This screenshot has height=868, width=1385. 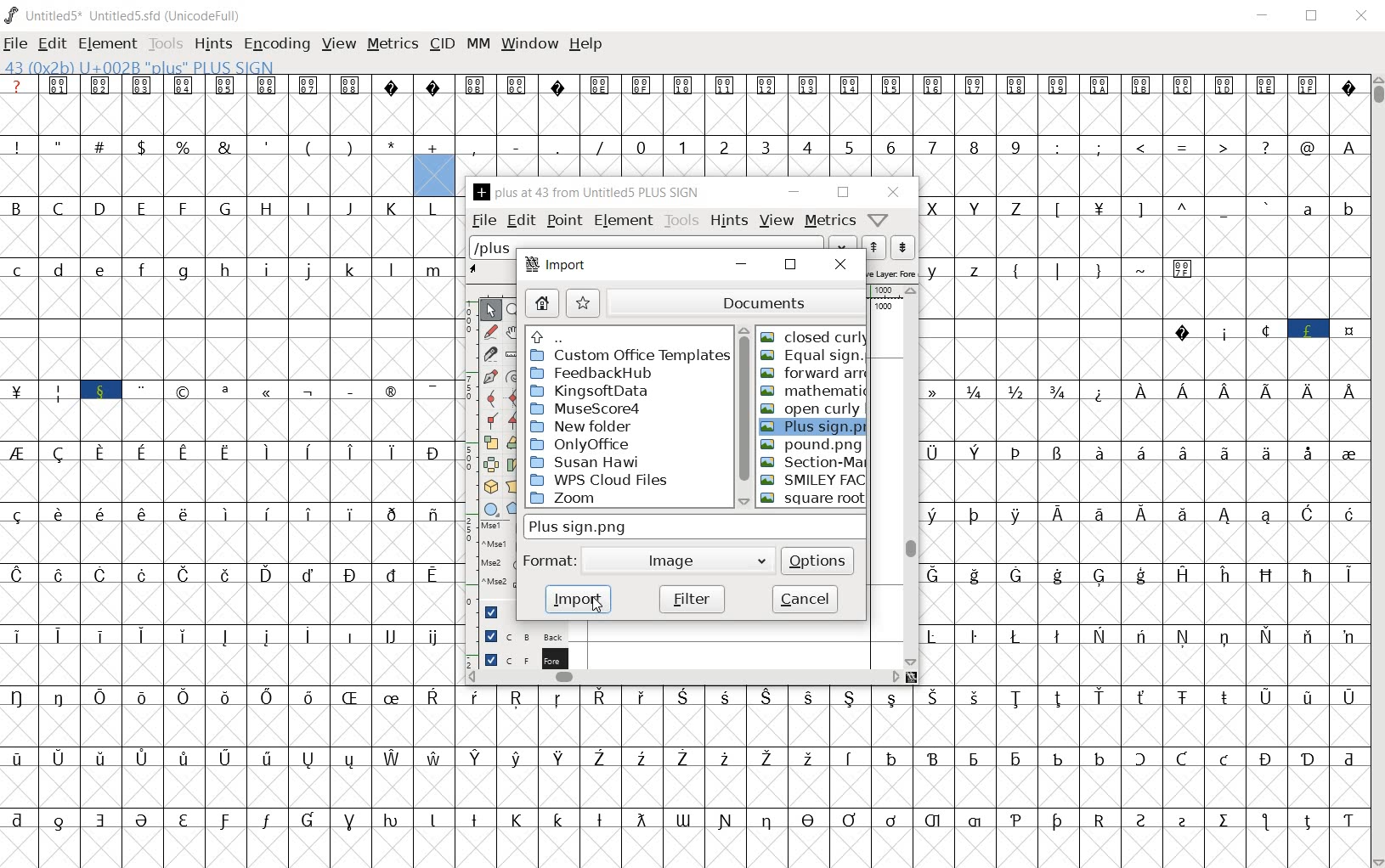 What do you see at coordinates (489, 355) in the screenshot?
I see `cut splines in two` at bounding box center [489, 355].